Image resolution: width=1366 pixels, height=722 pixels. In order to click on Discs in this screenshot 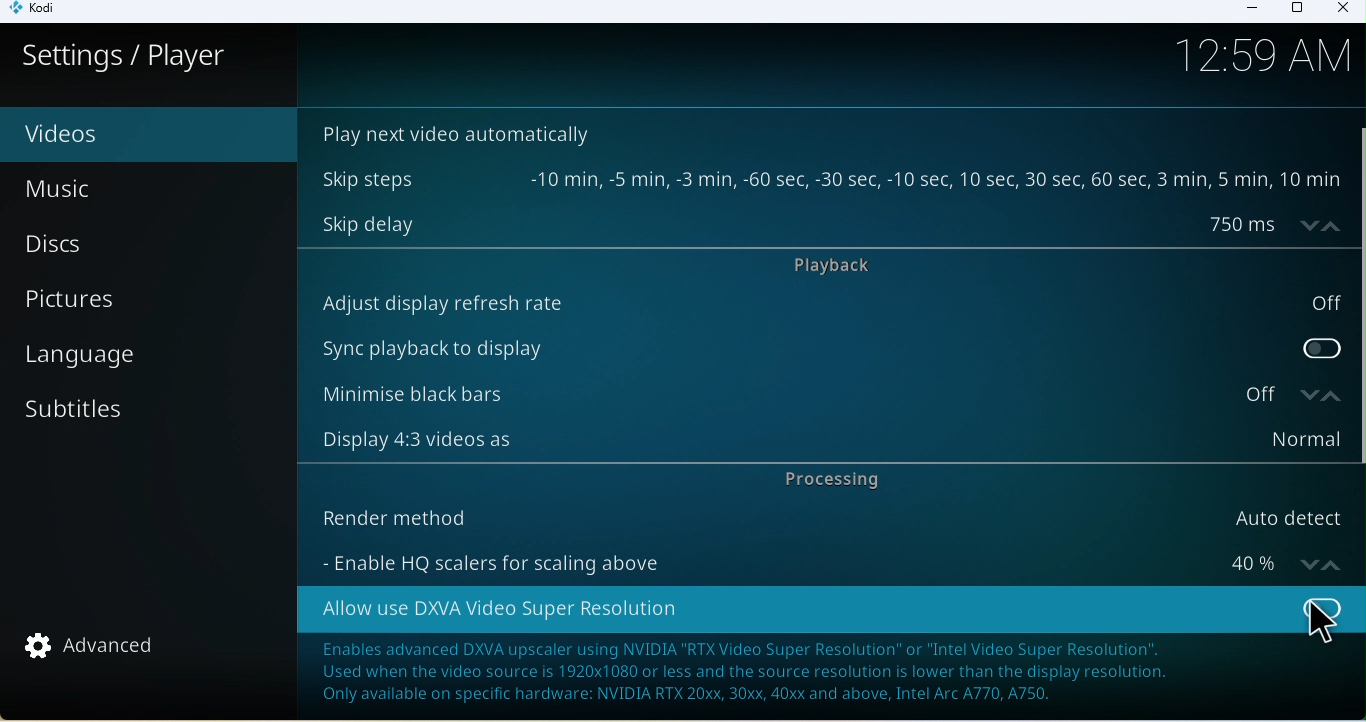, I will do `click(136, 244)`.